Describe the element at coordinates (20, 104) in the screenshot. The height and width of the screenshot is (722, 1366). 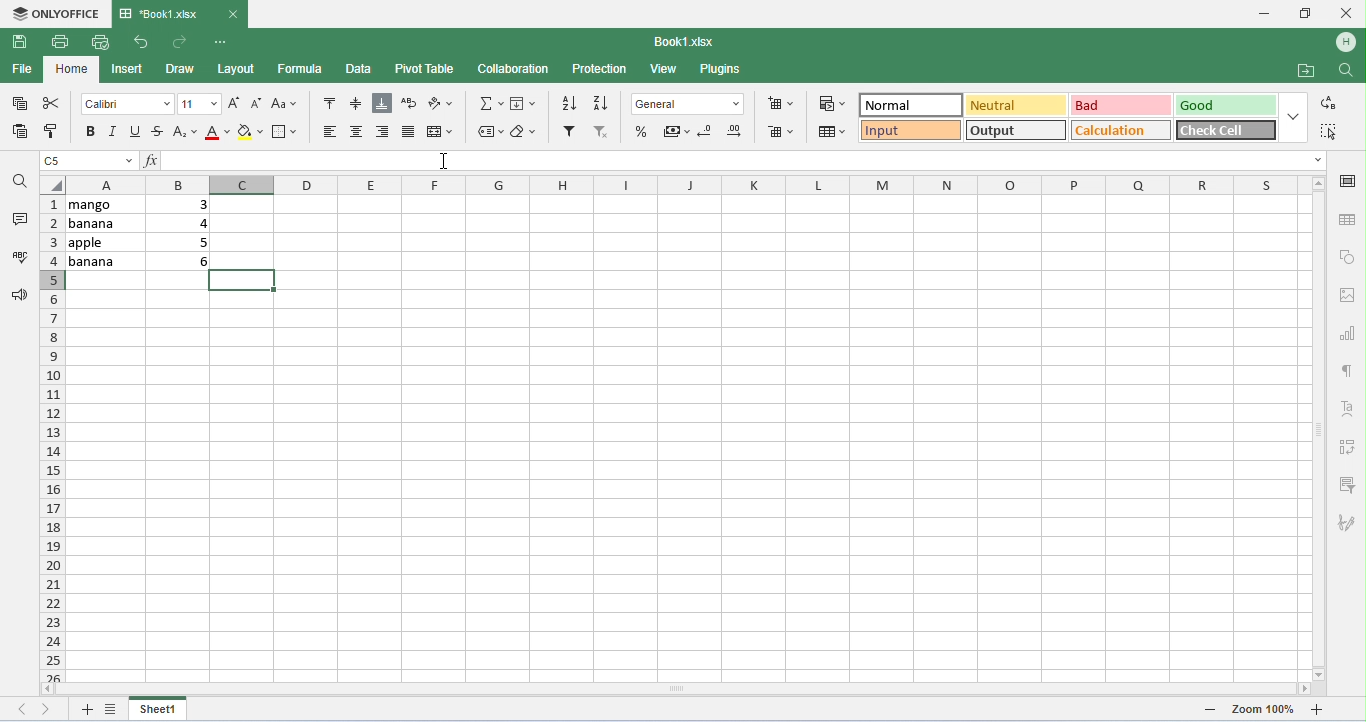
I see `copy` at that location.